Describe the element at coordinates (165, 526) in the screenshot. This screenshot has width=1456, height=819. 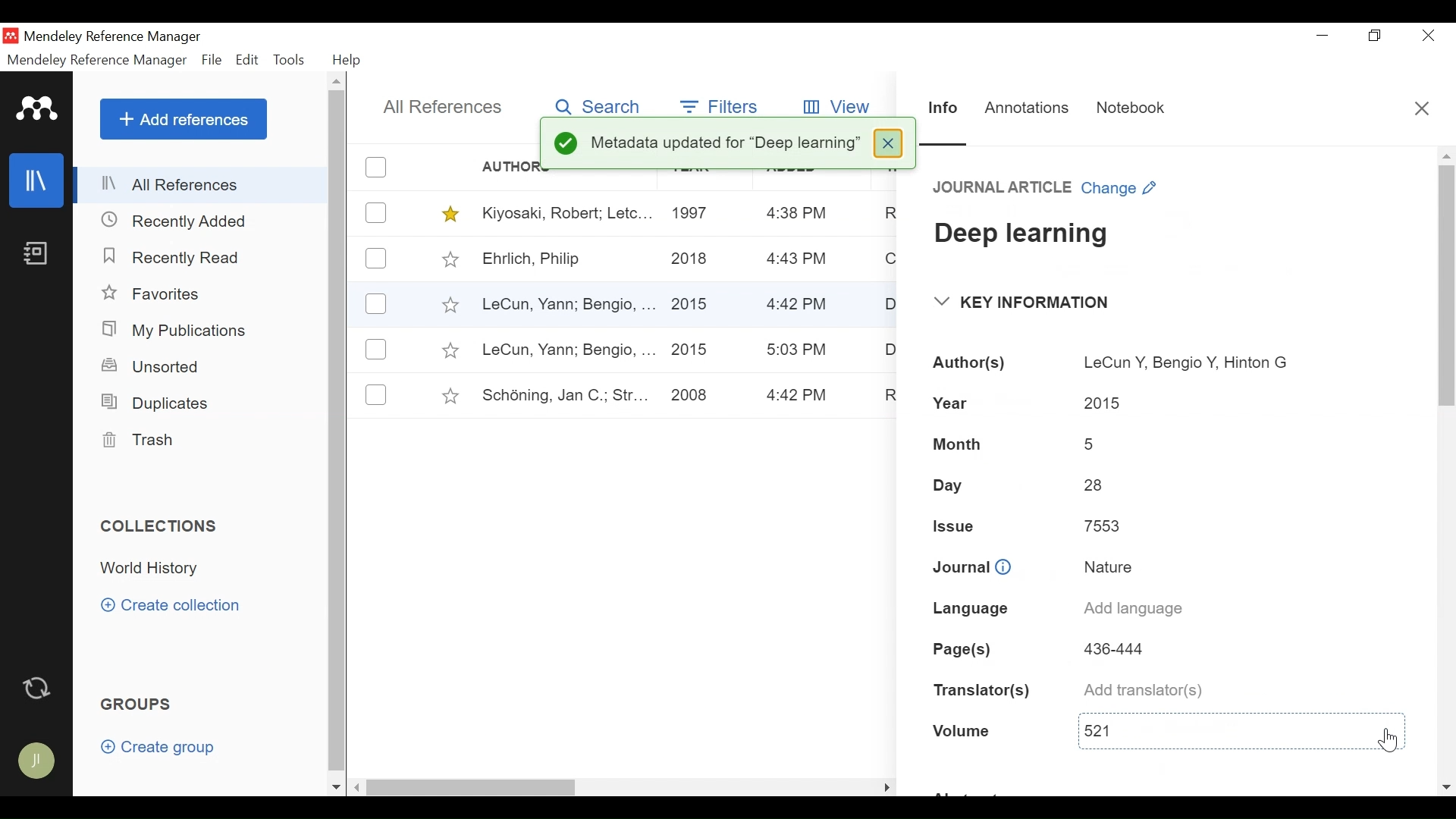
I see `Collections` at that location.